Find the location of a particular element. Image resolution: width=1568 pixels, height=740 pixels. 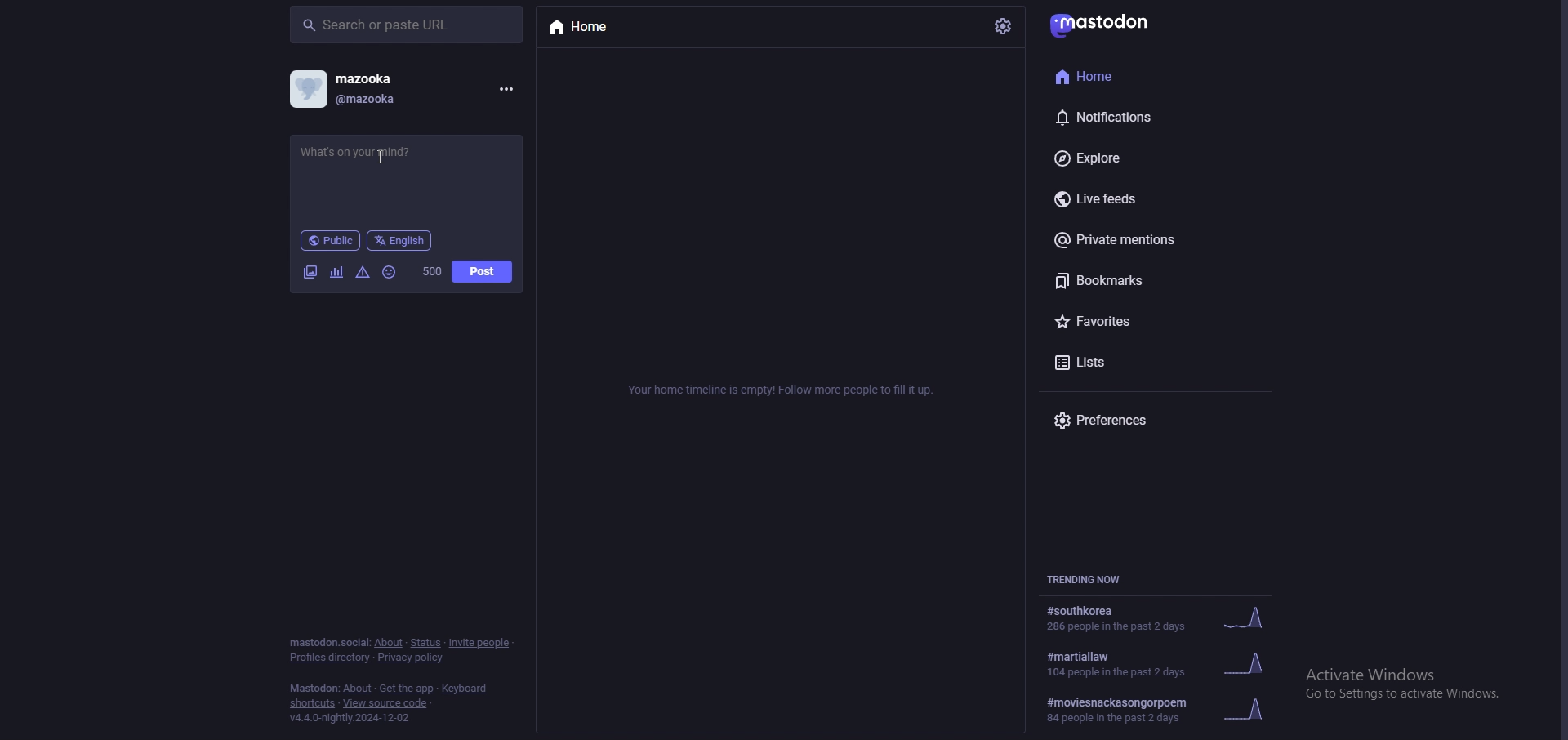

privacy policy is located at coordinates (410, 658).